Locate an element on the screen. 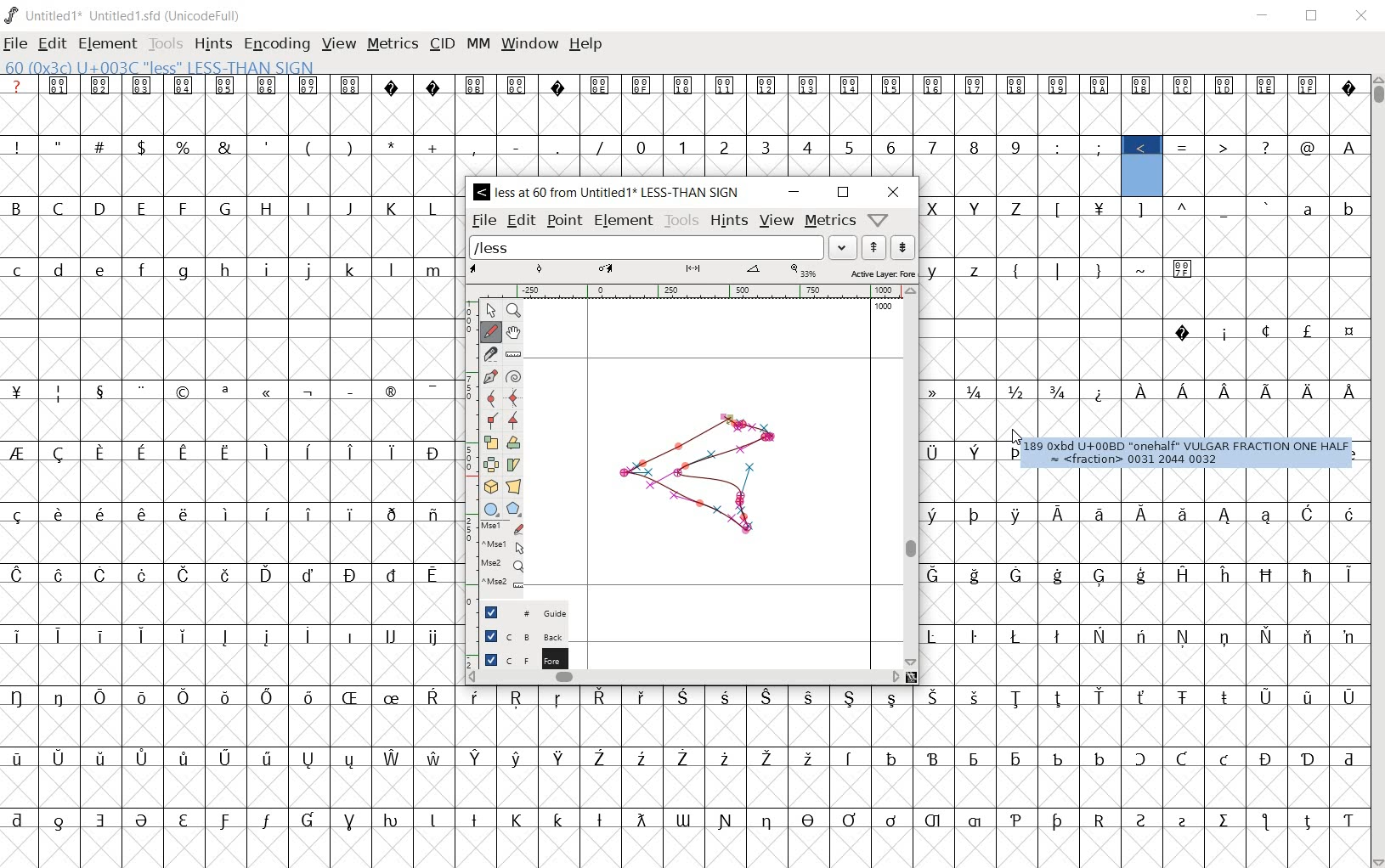  small letters a b is located at coordinates (1324, 208).